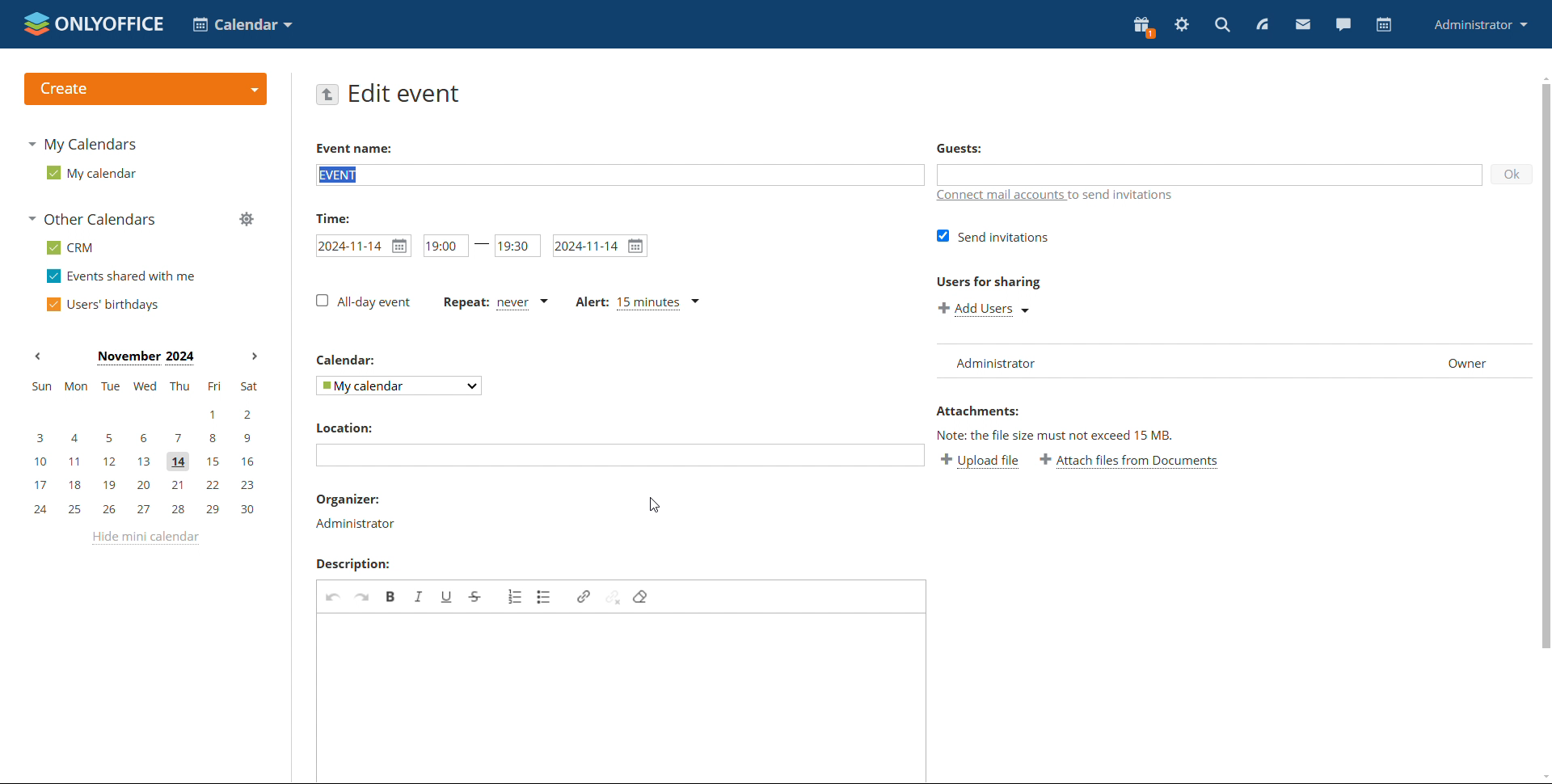 The height and width of the screenshot is (784, 1552). I want to click on crm, so click(70, 248).